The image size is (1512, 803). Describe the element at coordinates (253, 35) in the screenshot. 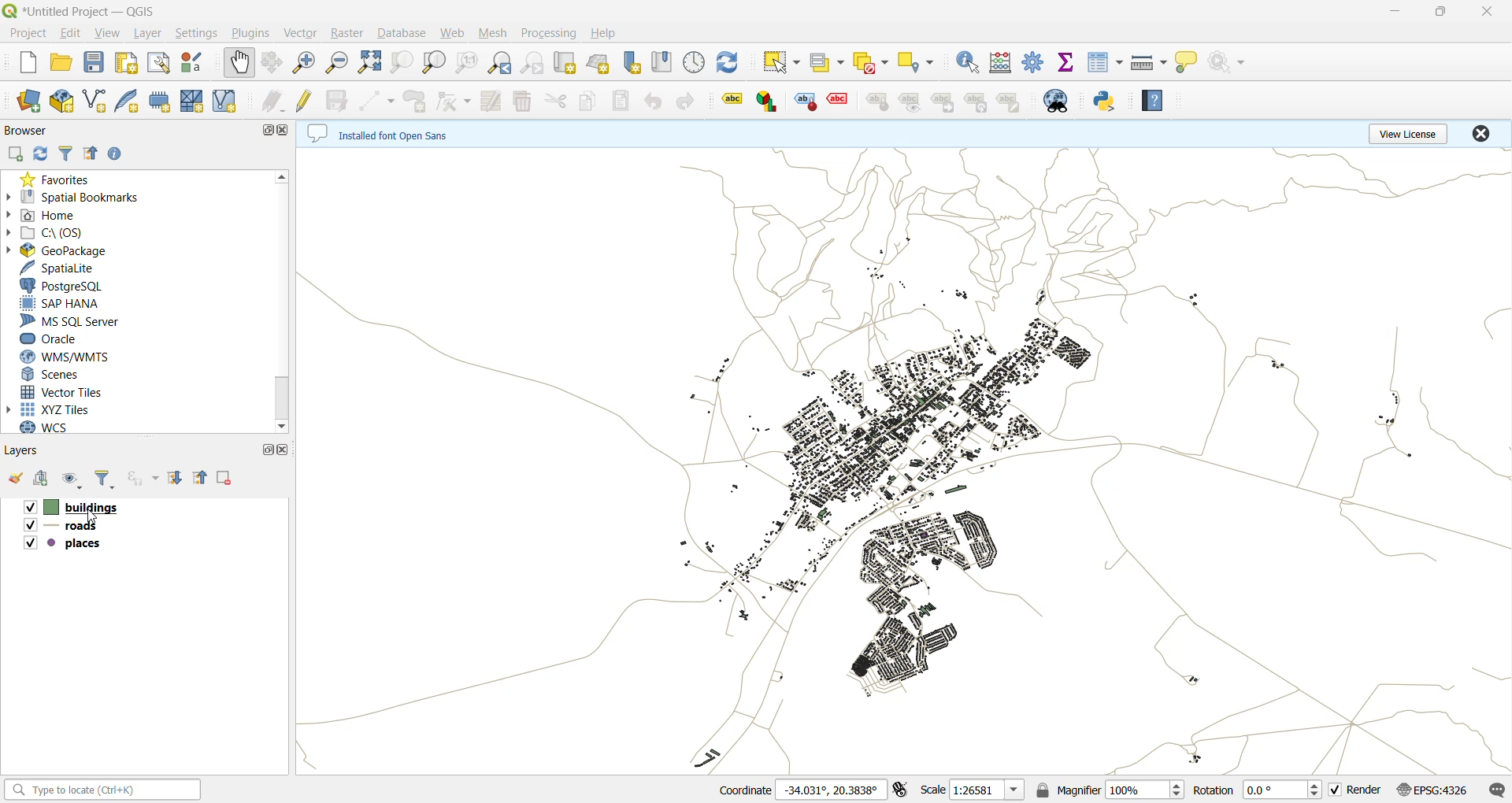

I see `plugins` at that location.